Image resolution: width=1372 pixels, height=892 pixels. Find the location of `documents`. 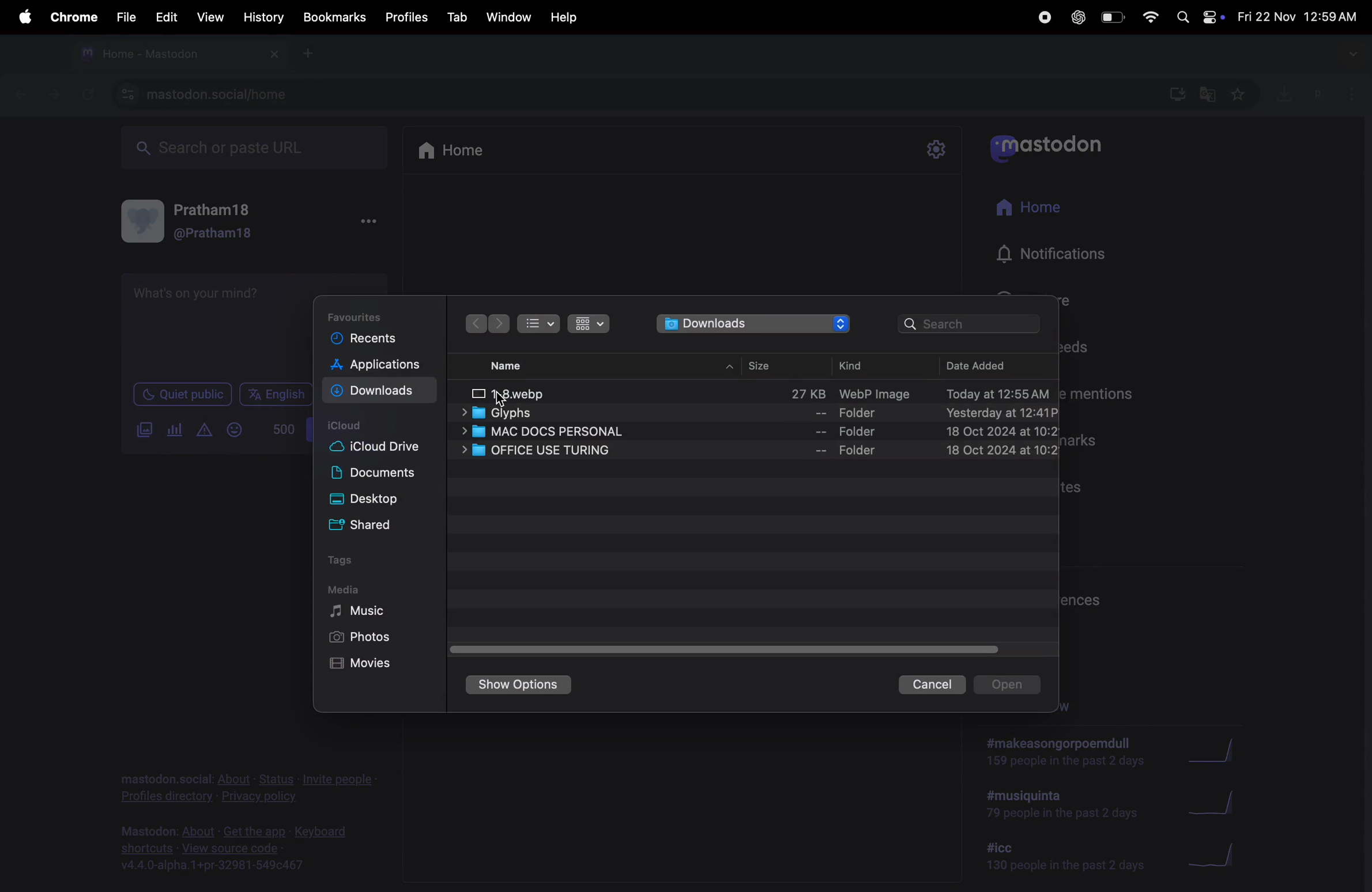

documents is located at coordinates (381, 474).